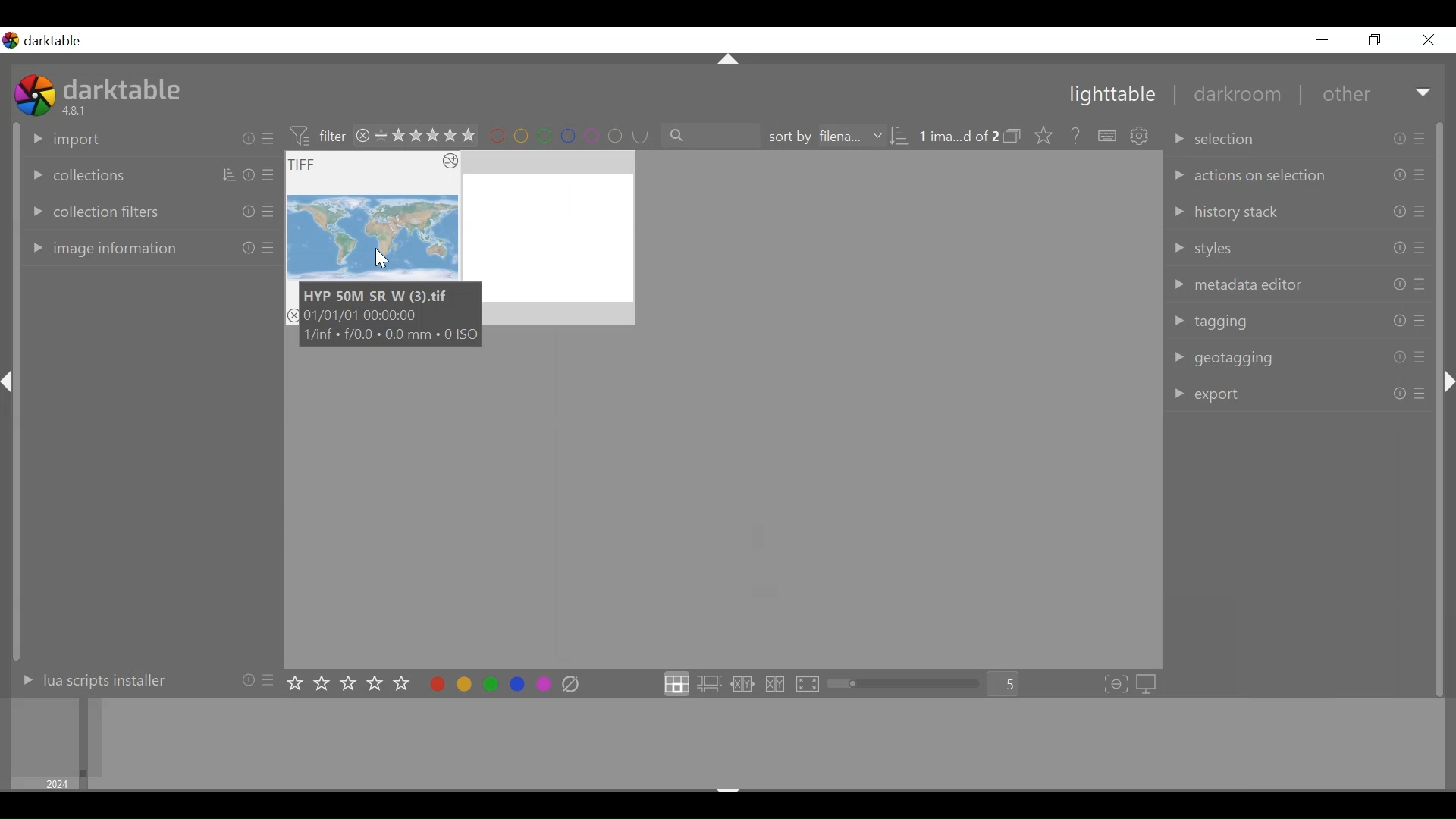 The width and height of the screenshot is (1456, 819). What do you see at coordinates (1149, 683) in the screenshot?
I see `set display profile` at bounding box center [1149, 683].